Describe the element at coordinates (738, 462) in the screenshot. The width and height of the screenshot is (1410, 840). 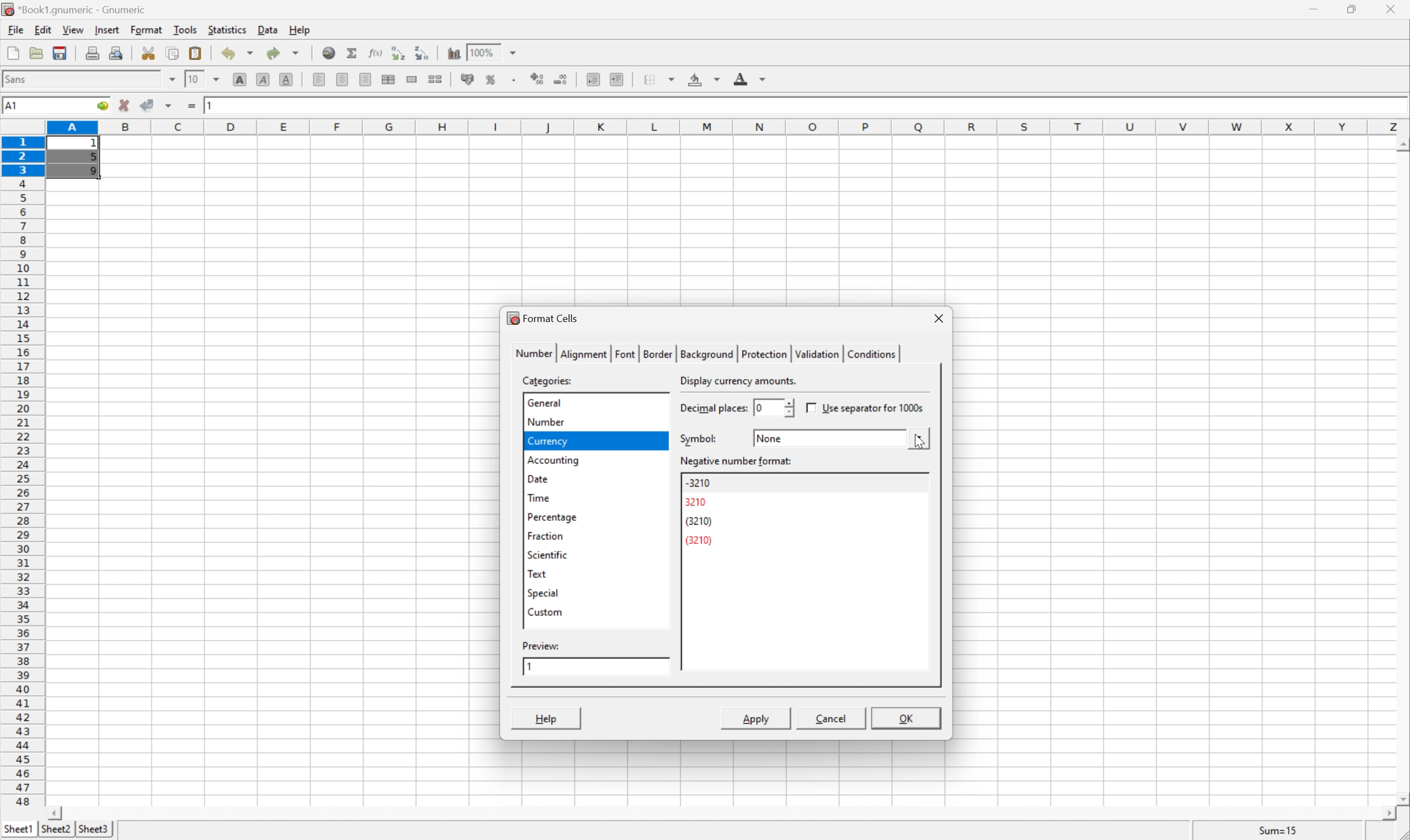
I see `negative number format` at that location.